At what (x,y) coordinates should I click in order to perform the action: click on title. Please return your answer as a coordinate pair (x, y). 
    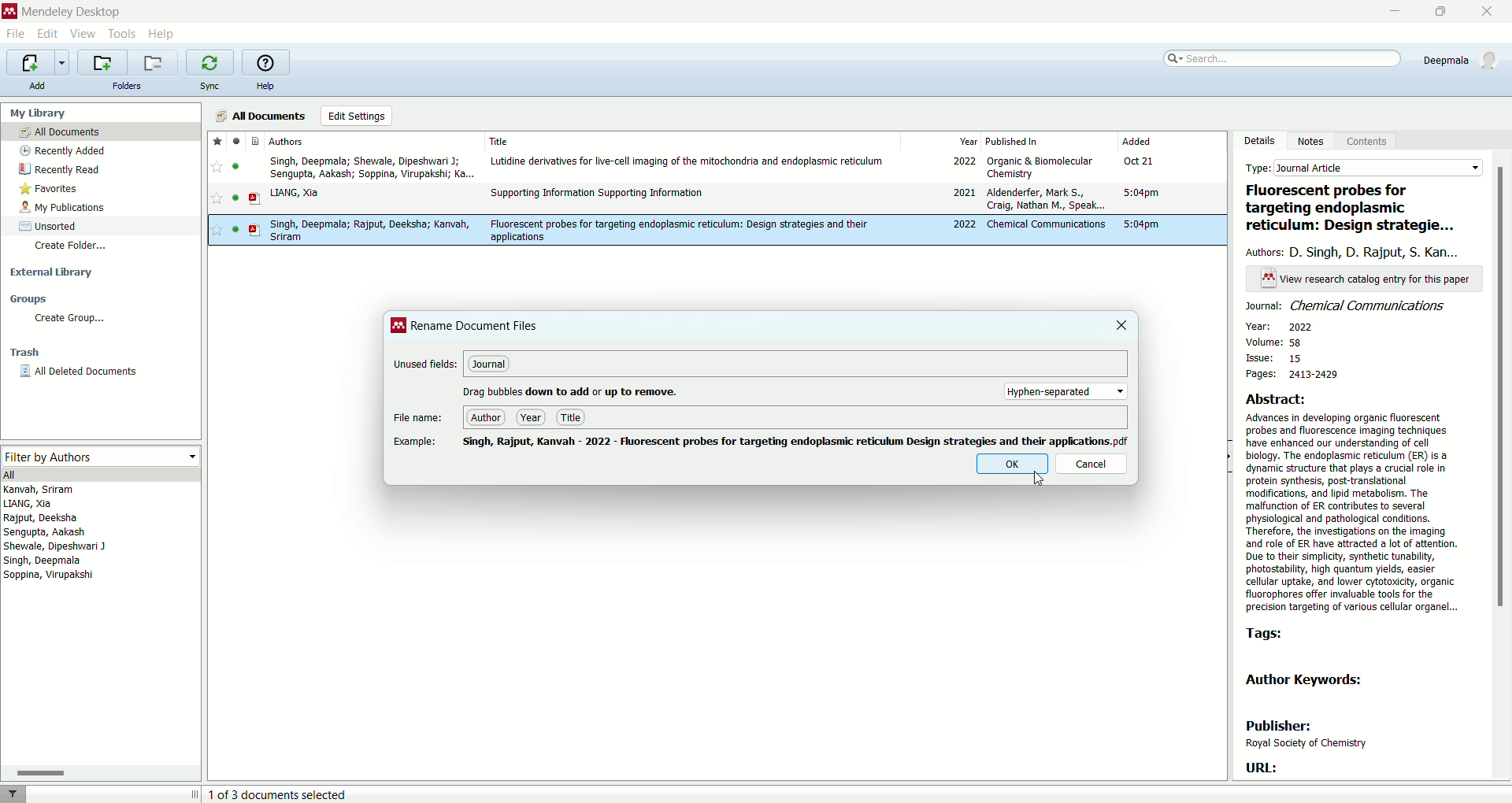
    Looking at the image, I should click on (687, 139).